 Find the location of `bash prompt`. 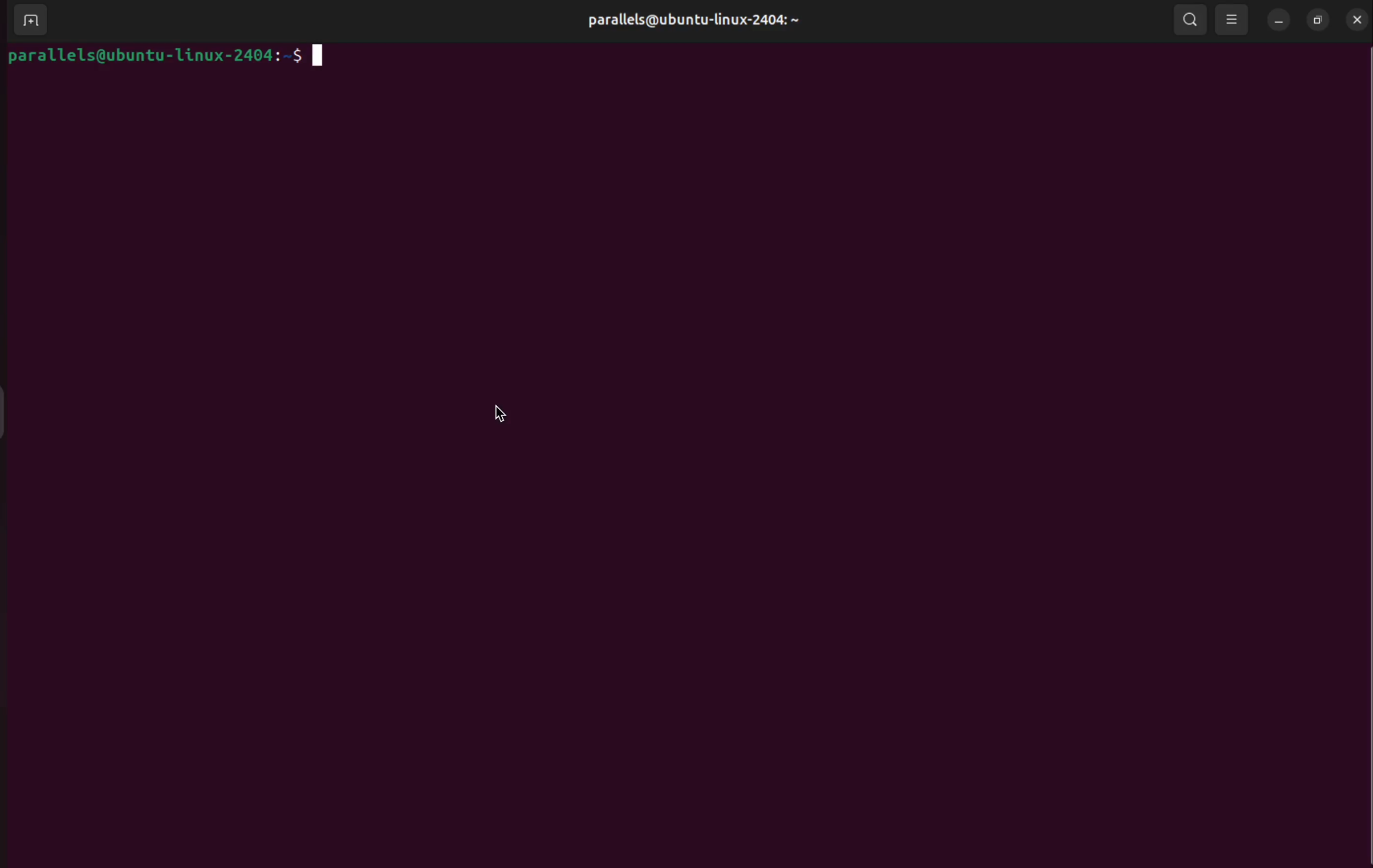

bash prompt is located at coordinates (171, 57).